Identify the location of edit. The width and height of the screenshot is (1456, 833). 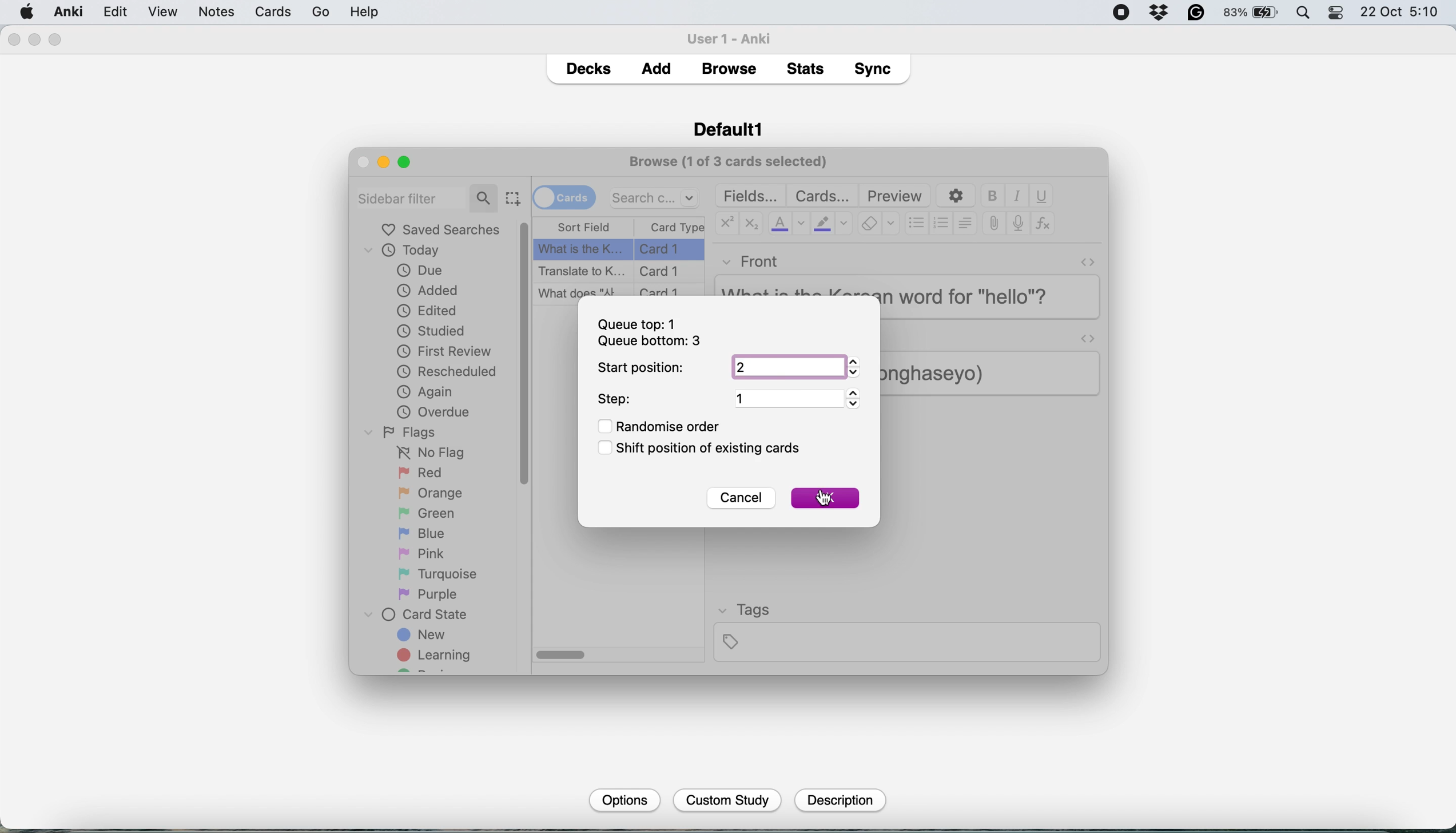
(162, 13).